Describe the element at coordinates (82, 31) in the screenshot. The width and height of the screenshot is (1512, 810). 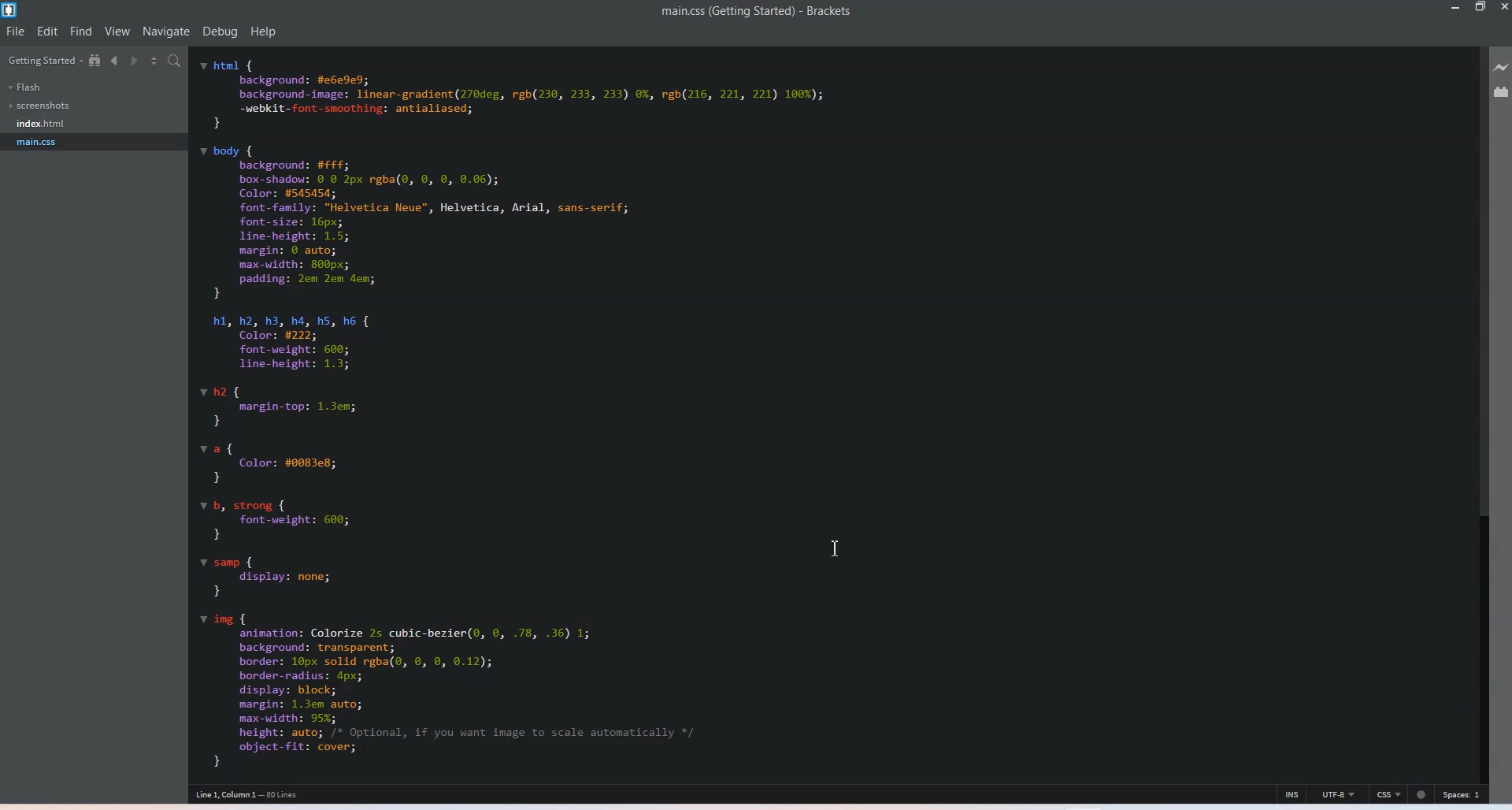
I see `Find` at that location.